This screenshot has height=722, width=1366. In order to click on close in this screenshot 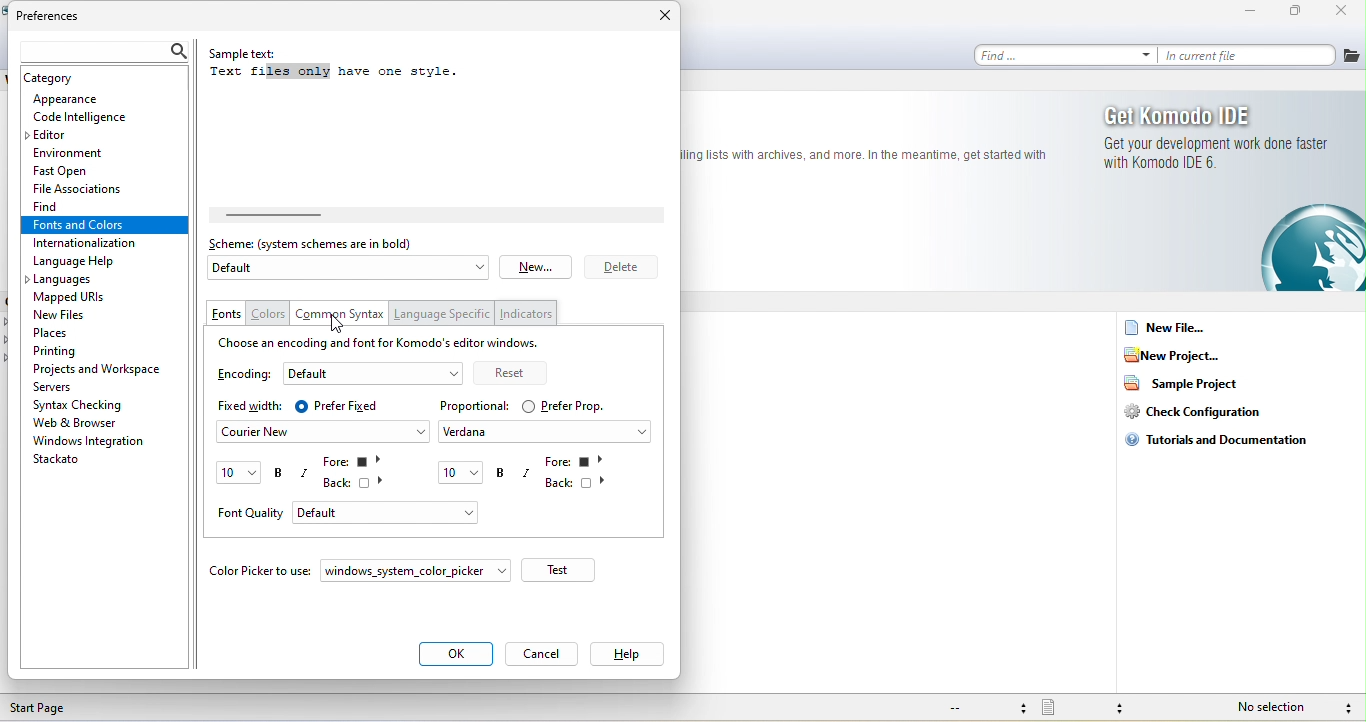, I will do `click(661, 13)`.